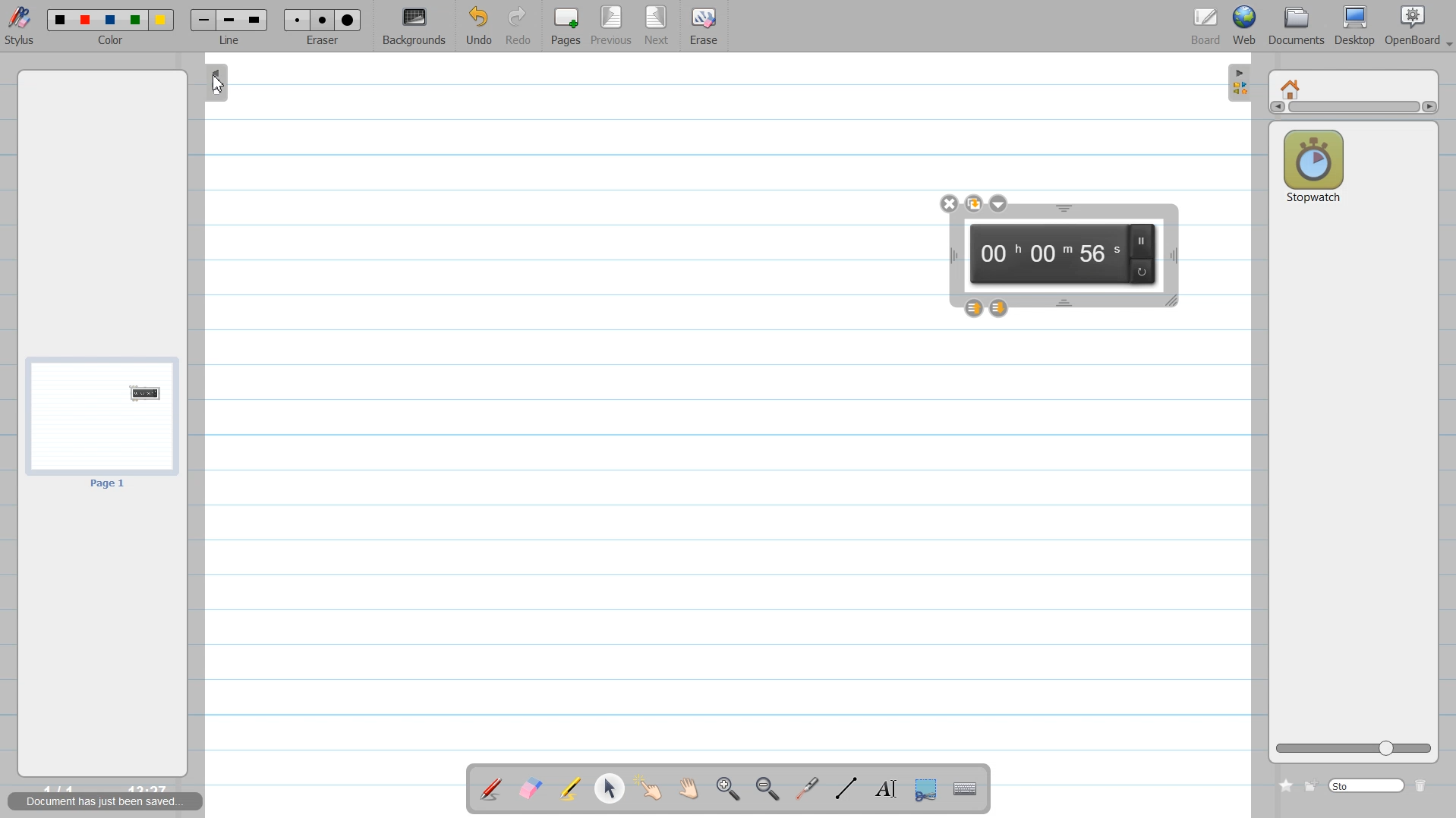 The width and height of the screenshot is (1456, 818). I want to click on Layer up, so click(973, 308).